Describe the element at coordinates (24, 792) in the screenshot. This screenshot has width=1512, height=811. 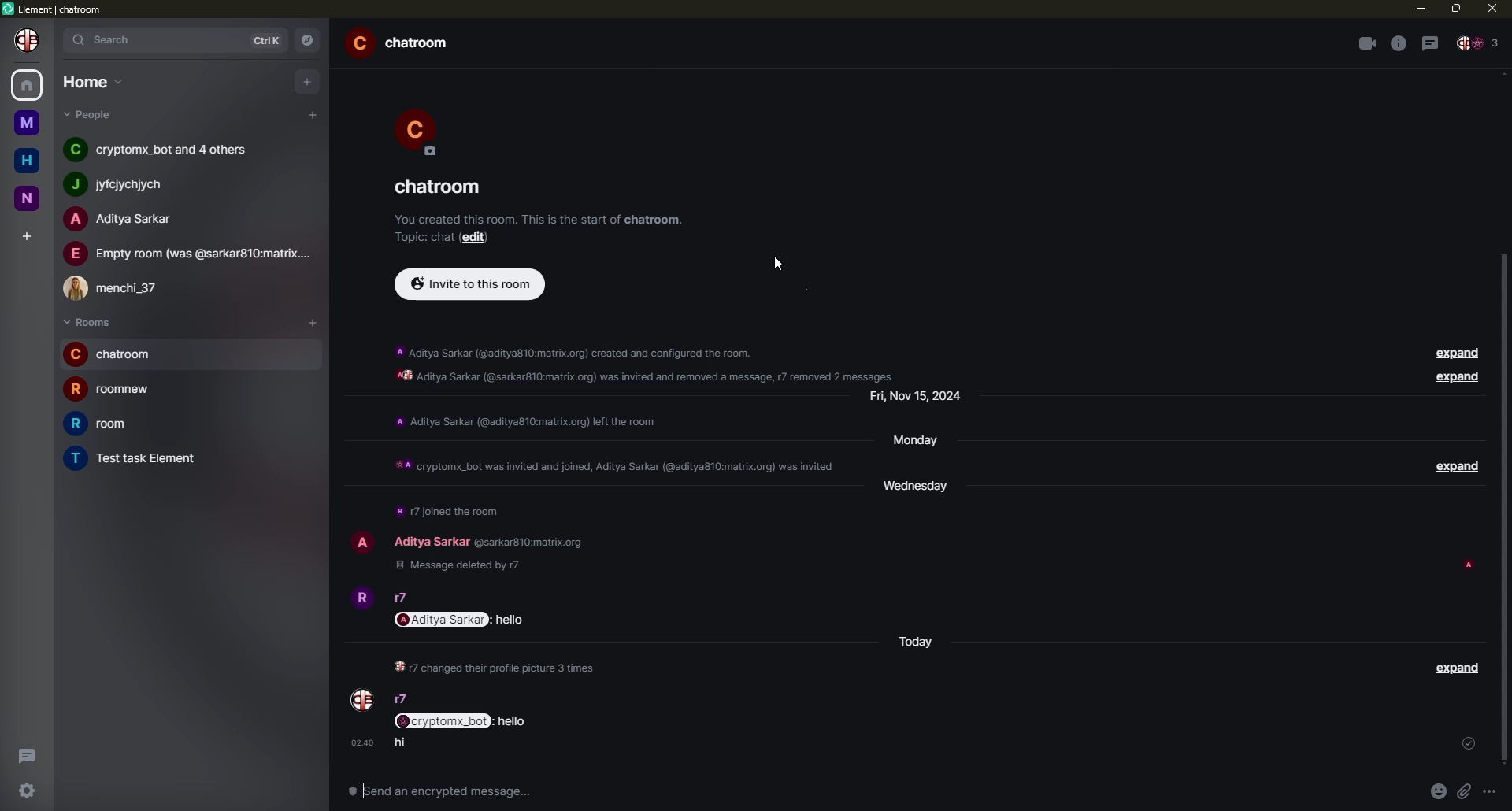
I see `settings` at that location.